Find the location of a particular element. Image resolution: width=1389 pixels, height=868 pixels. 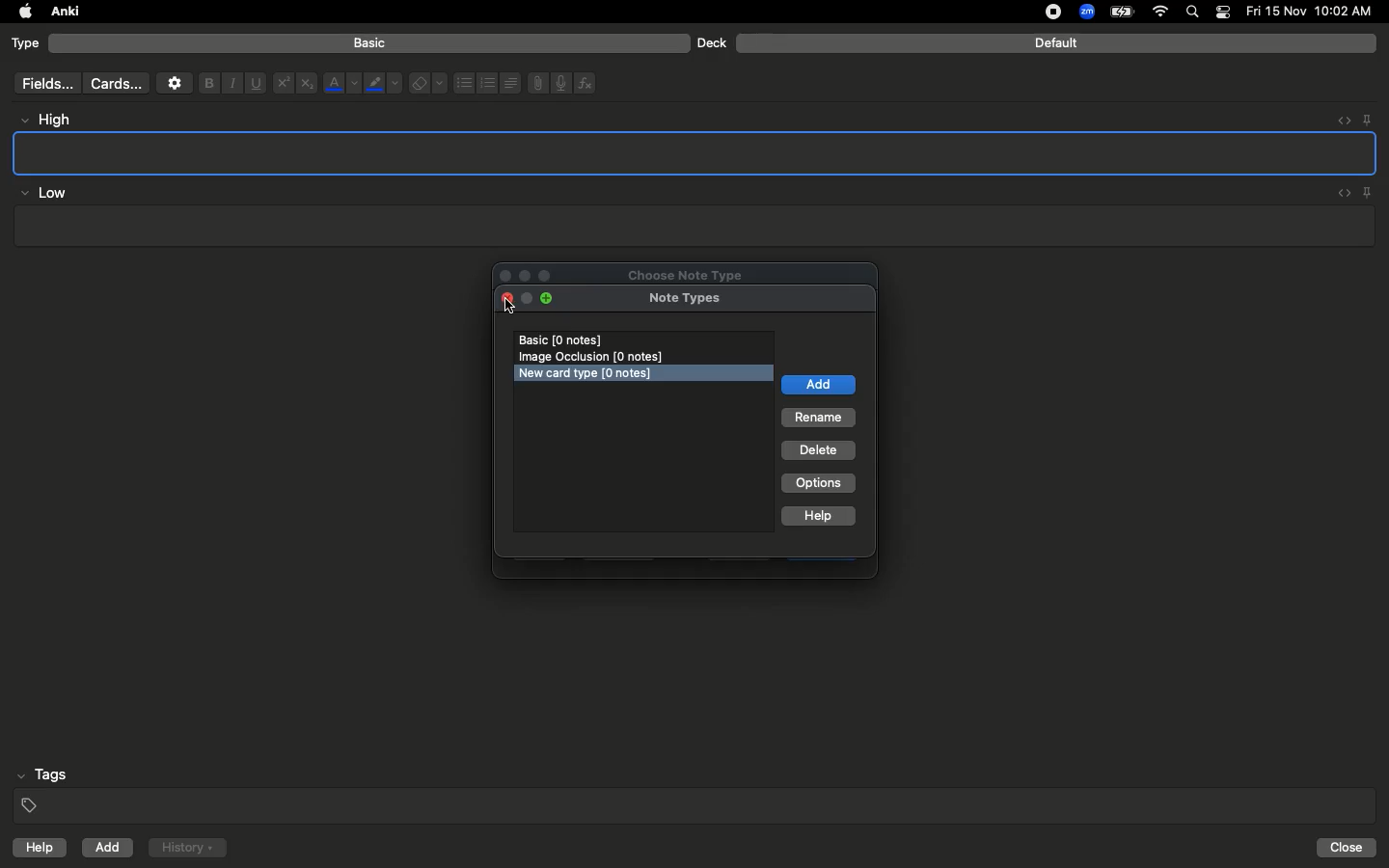

Note Types is located at coordinates (685, 300).